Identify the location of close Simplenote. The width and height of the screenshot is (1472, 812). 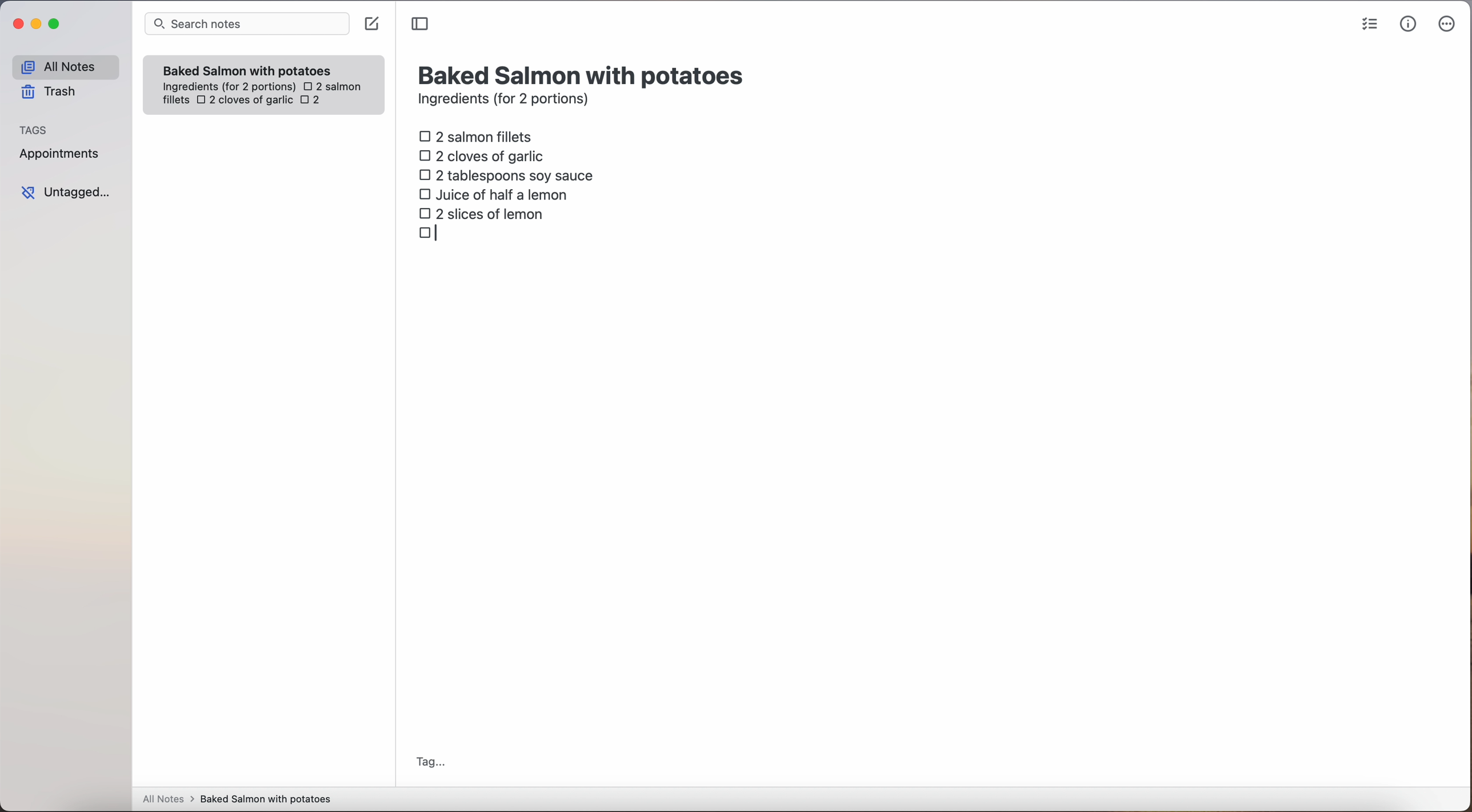
(17, 25).